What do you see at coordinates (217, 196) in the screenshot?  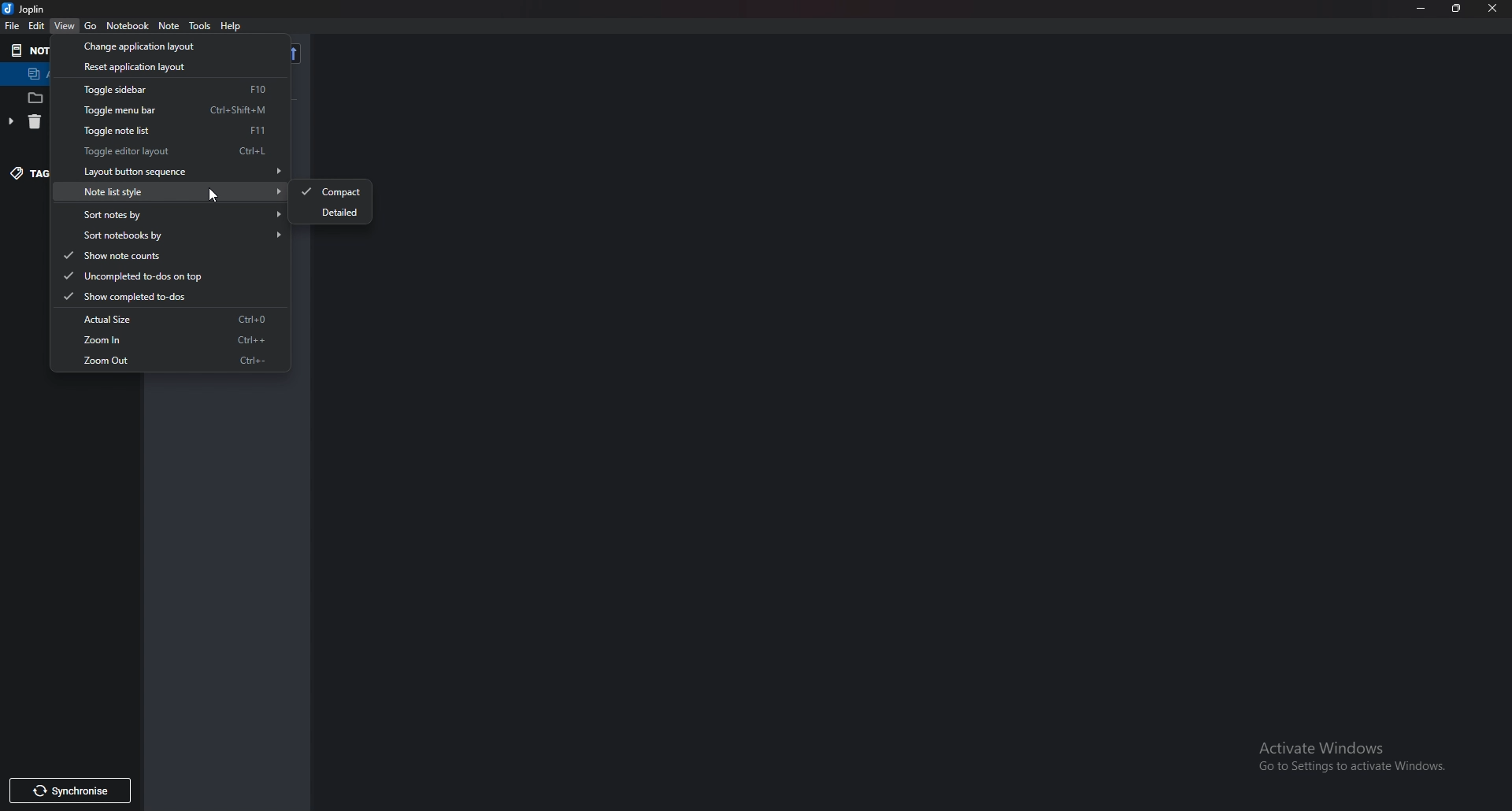 I see `cursor` at bounding box center [217, 196].